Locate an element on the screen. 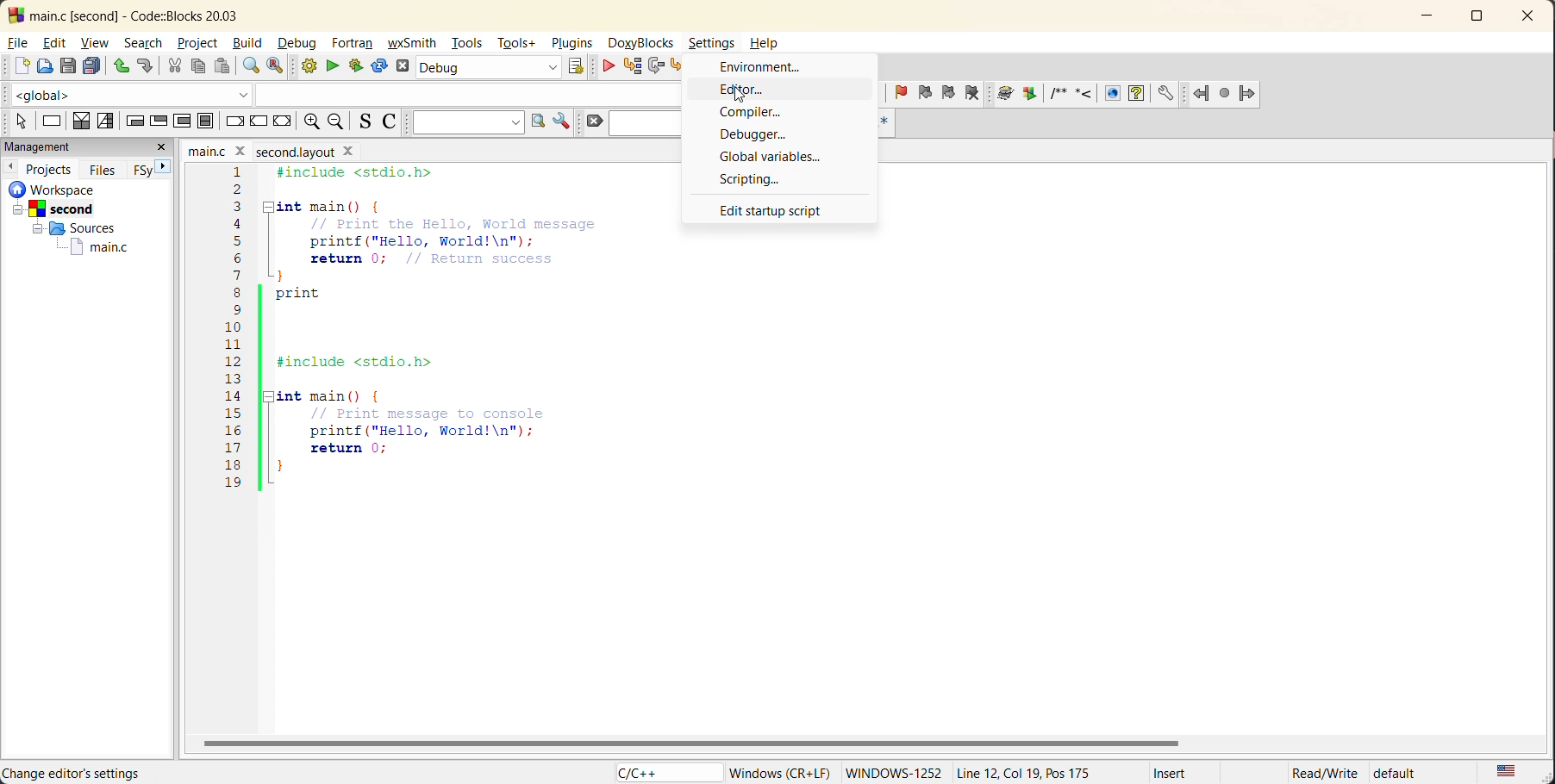 This screenshot has height=784, width=1555. doxyblocks is located at coordinates (642, 44).